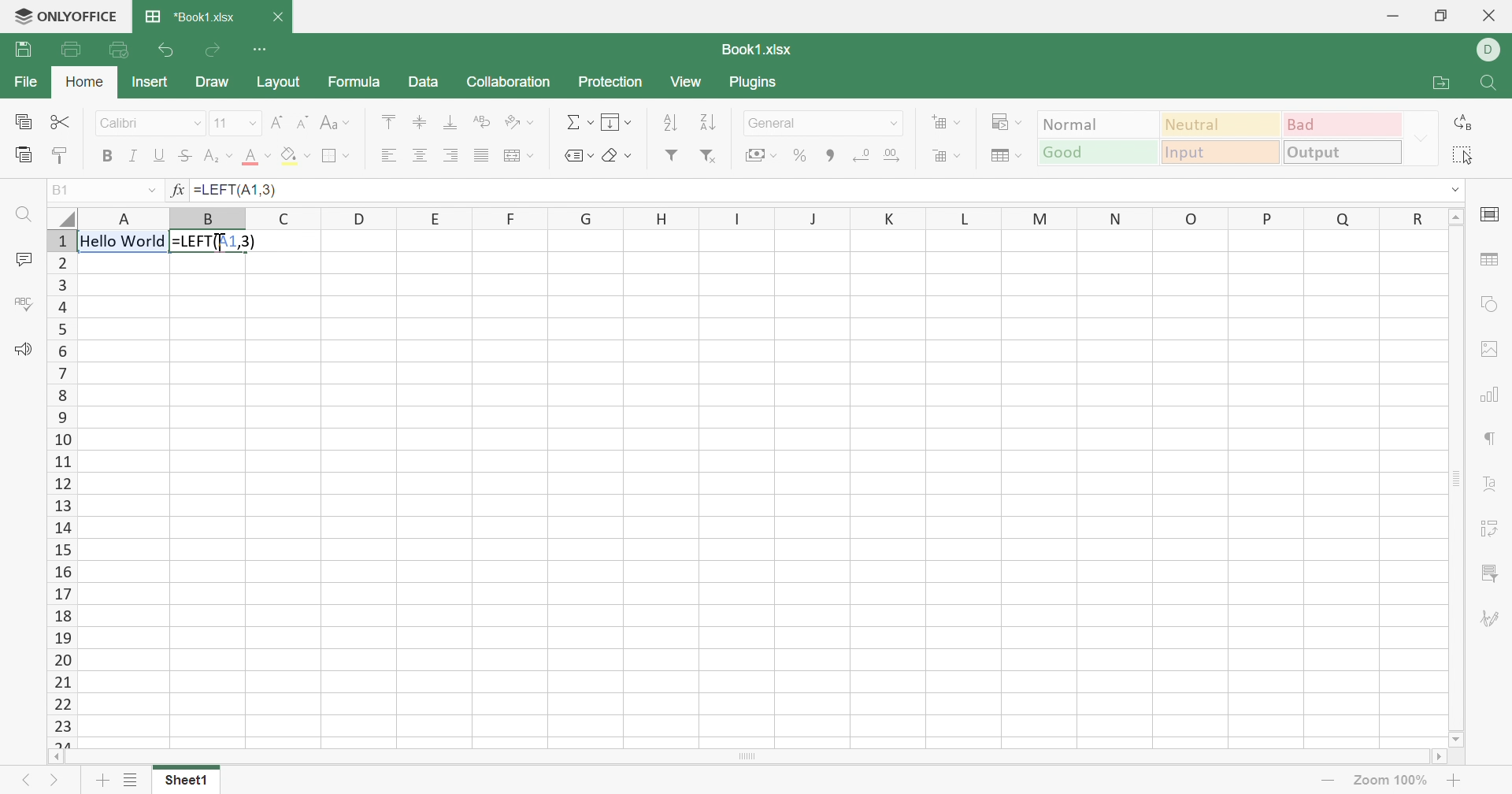  What do you see at coordinates (421, 156) in the screenshot?
I see `Align center` at bounding box center [421, 156].